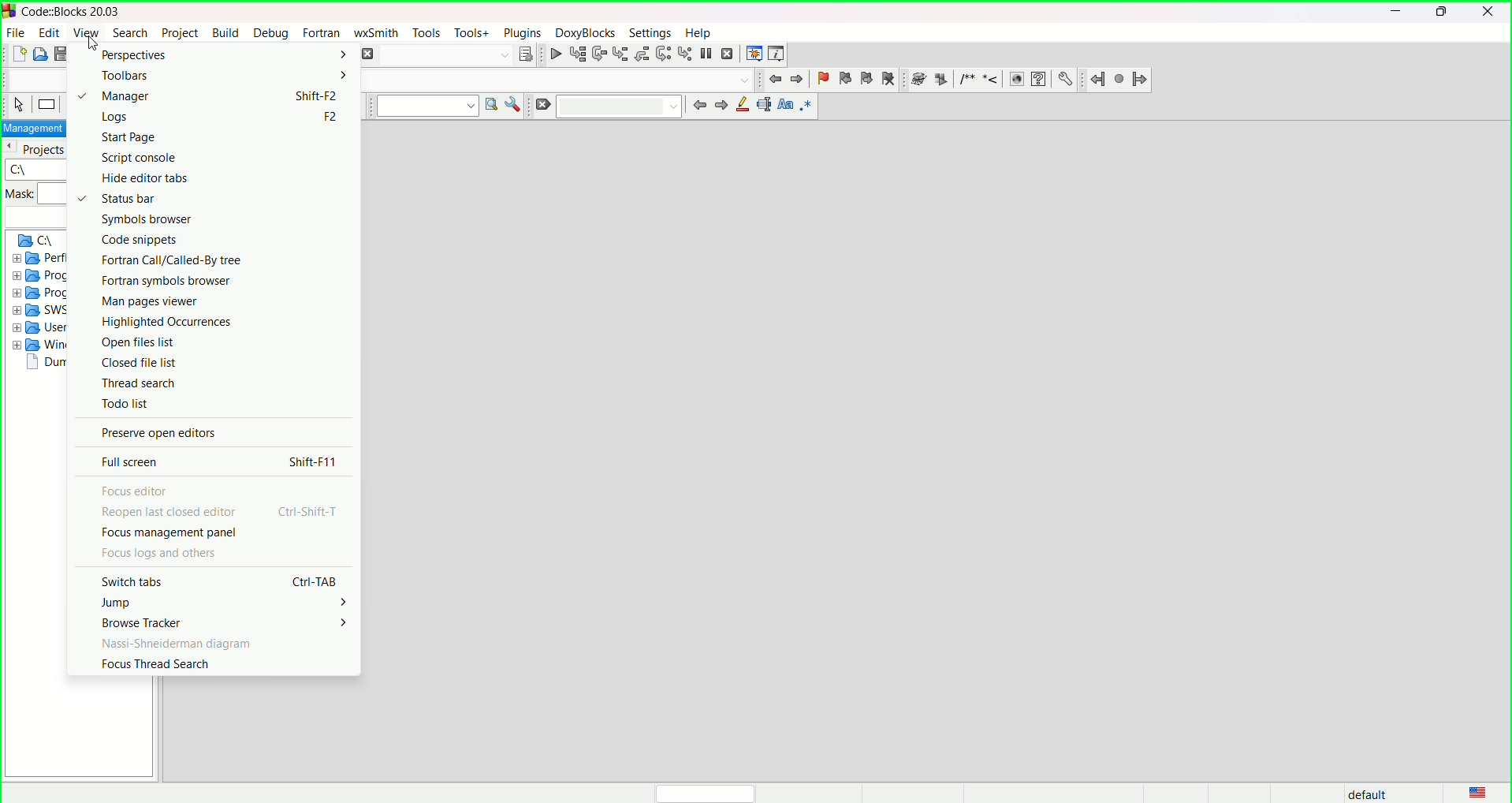 The width and height of the screenshot is (1512, 803). What do you see at coordinates (796, 79) in the screenshot?
I see `jump forward` at bounding box center [796, 79].